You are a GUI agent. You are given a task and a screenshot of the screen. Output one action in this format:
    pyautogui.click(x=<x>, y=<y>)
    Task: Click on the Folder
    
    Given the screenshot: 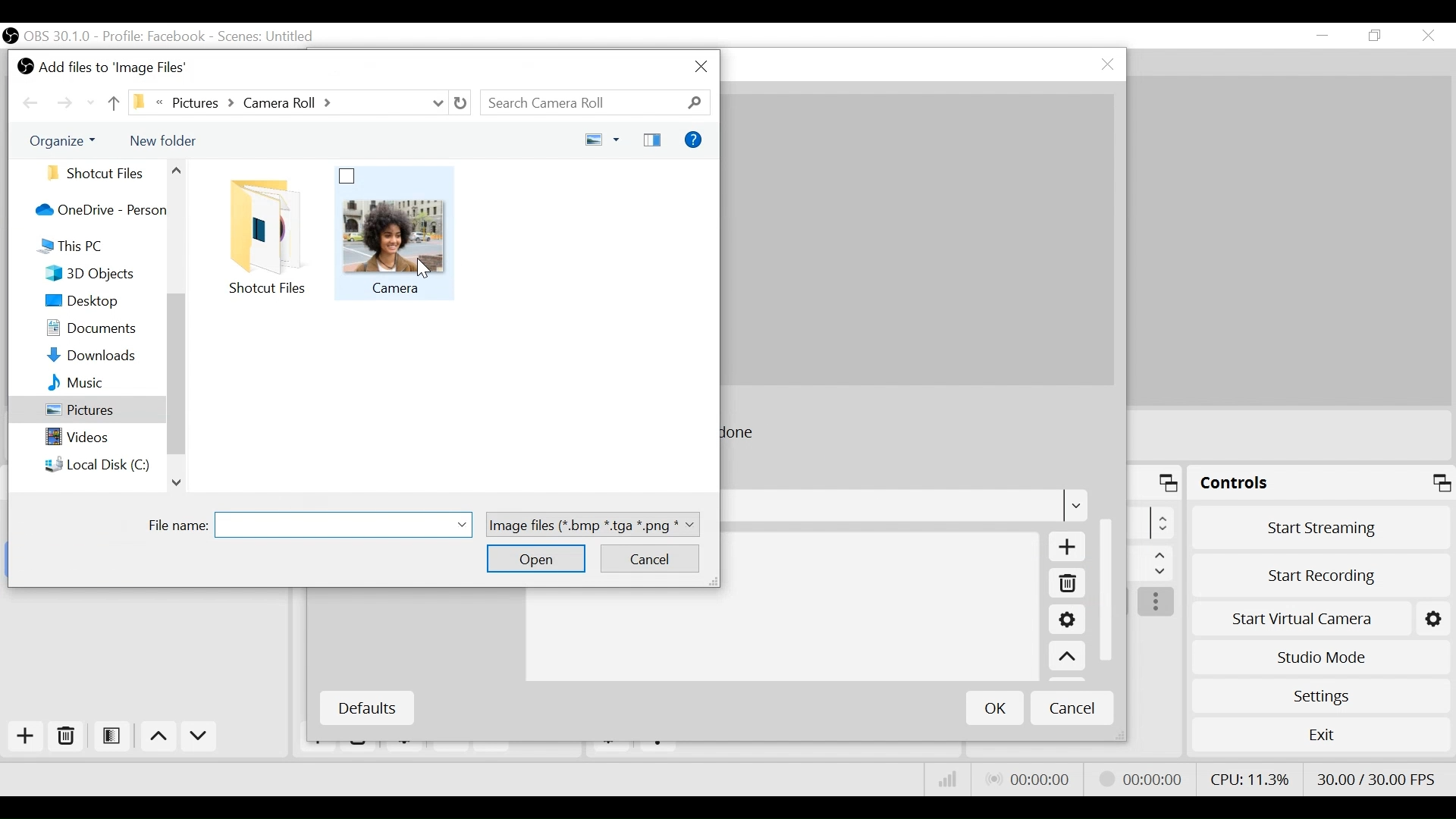 What is the action you would take?
    pyautogui.click(x=271, y=237)
    